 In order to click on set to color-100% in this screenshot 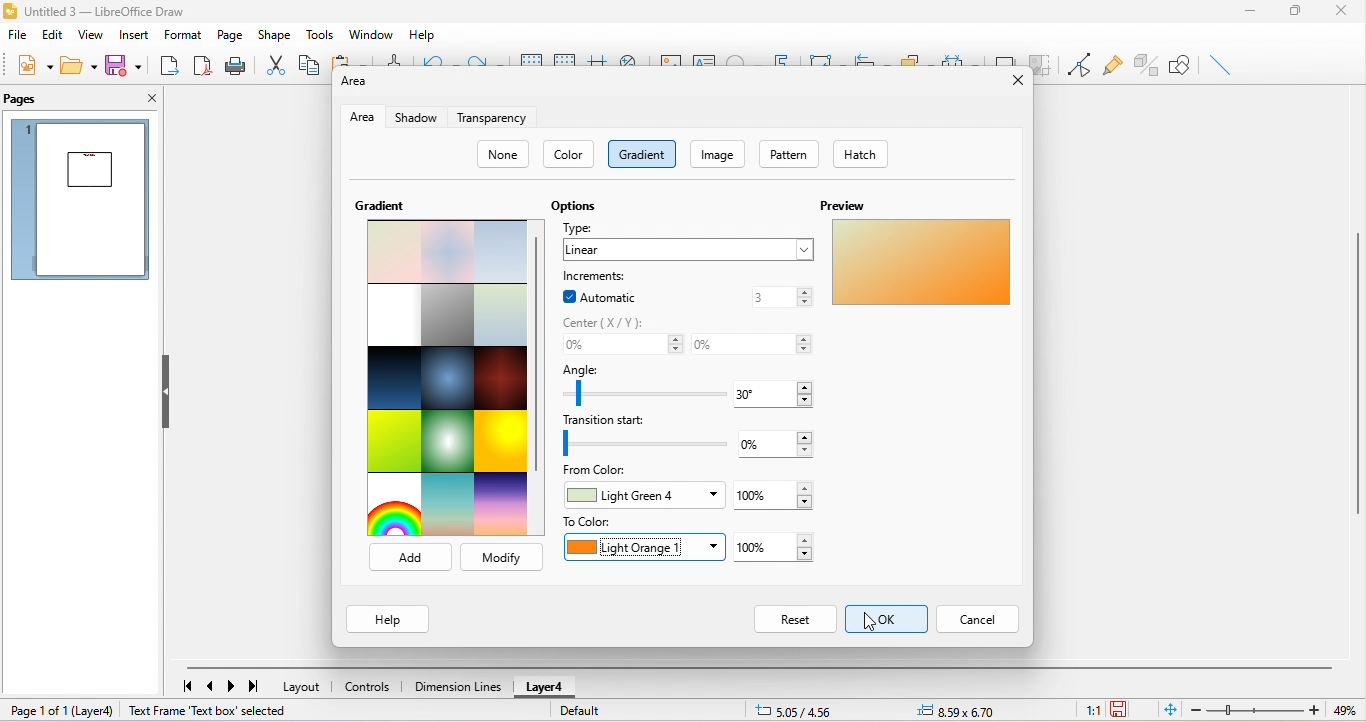, I will do `click(780, 548)`.